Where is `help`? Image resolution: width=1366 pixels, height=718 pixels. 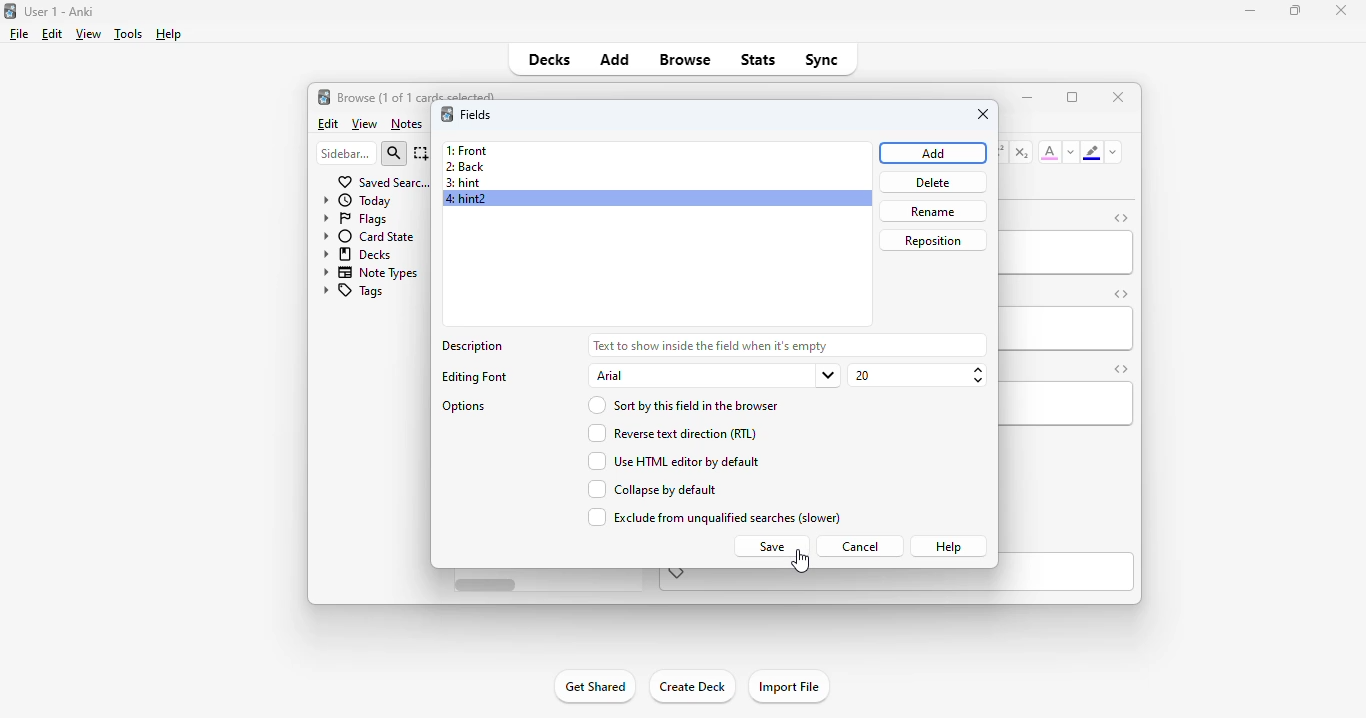
help is located at coordinates (167, 34).